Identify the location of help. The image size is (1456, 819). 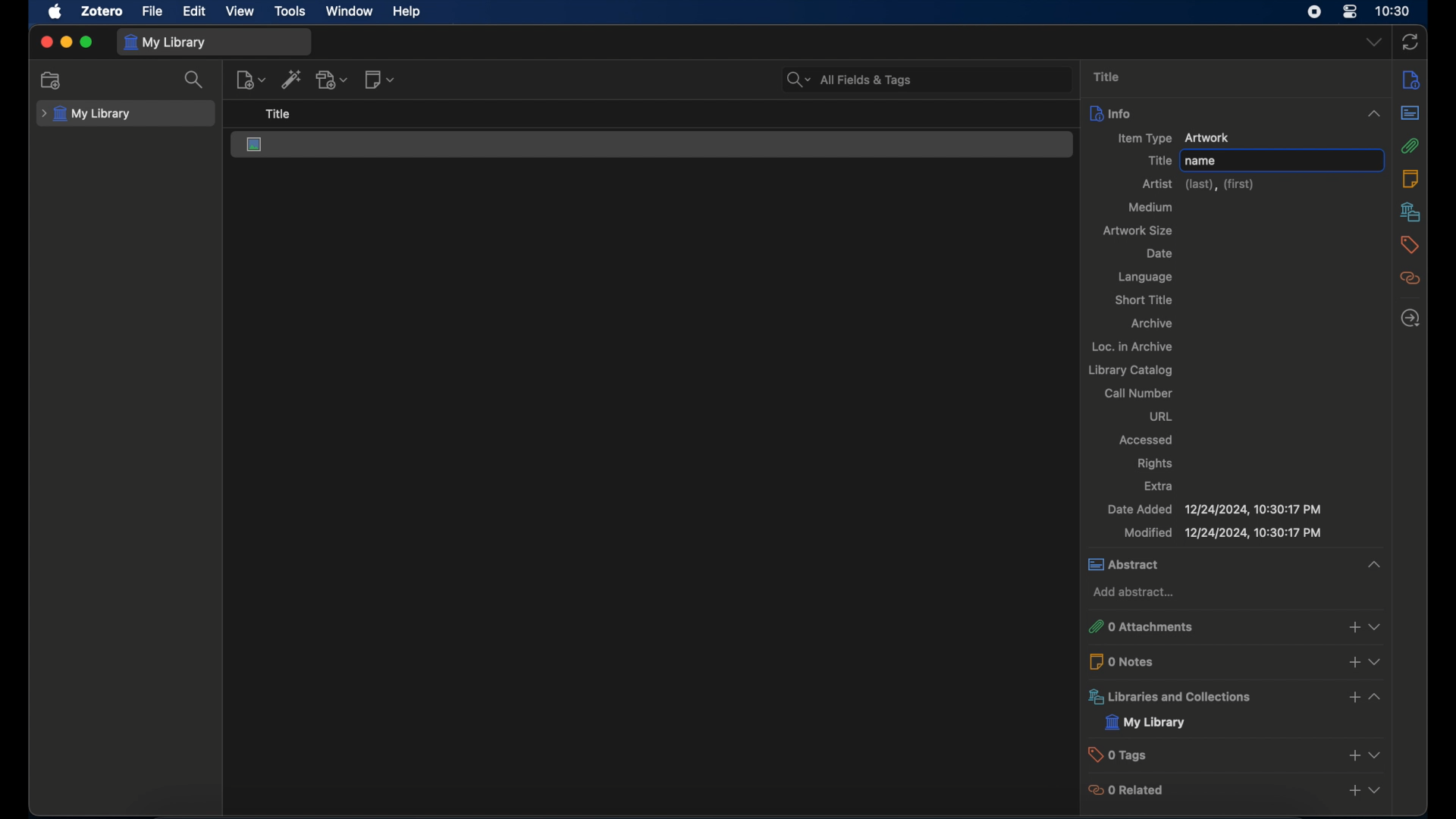
(406, 12).